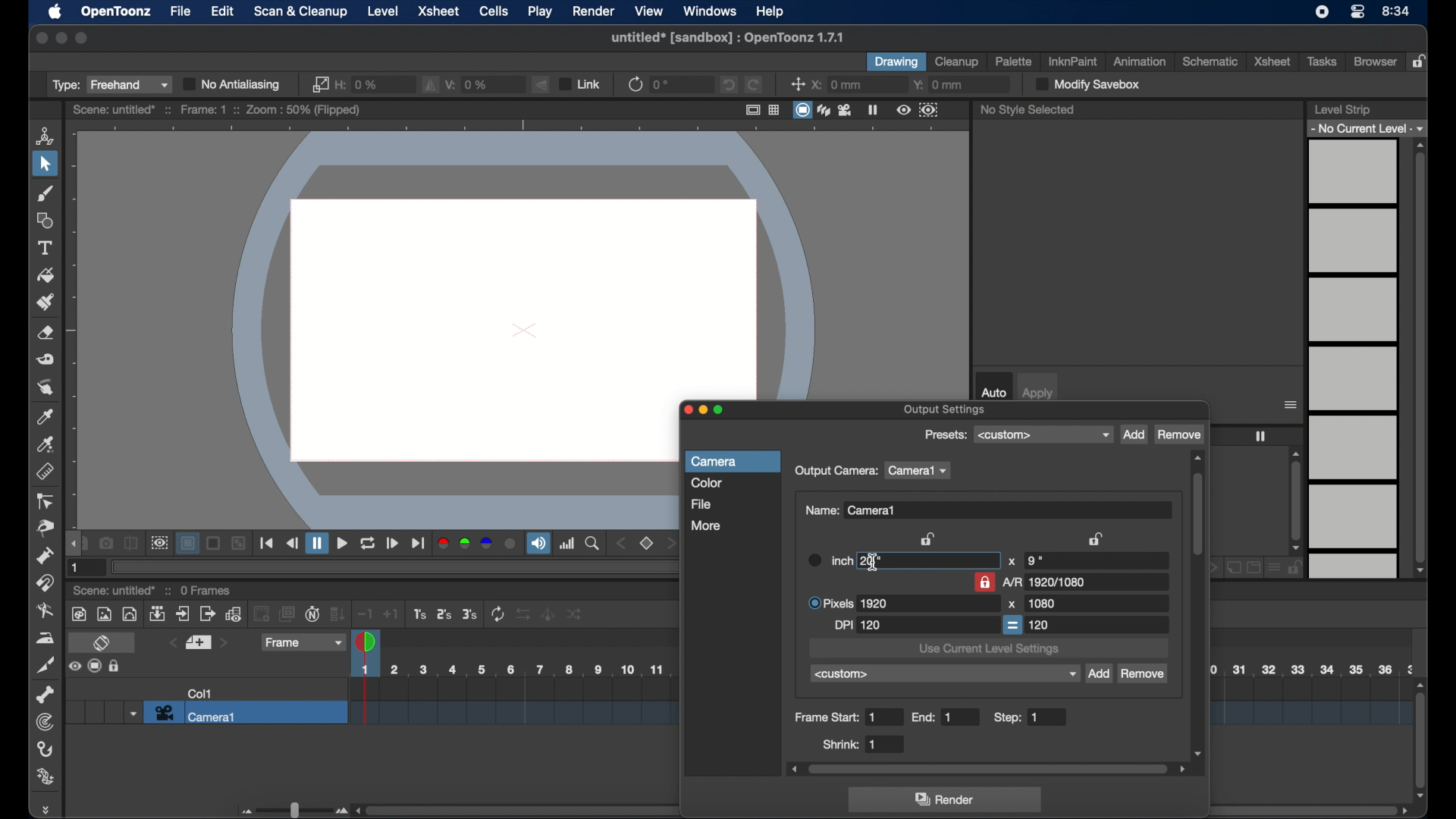  I want to click on , so click(500, 614).